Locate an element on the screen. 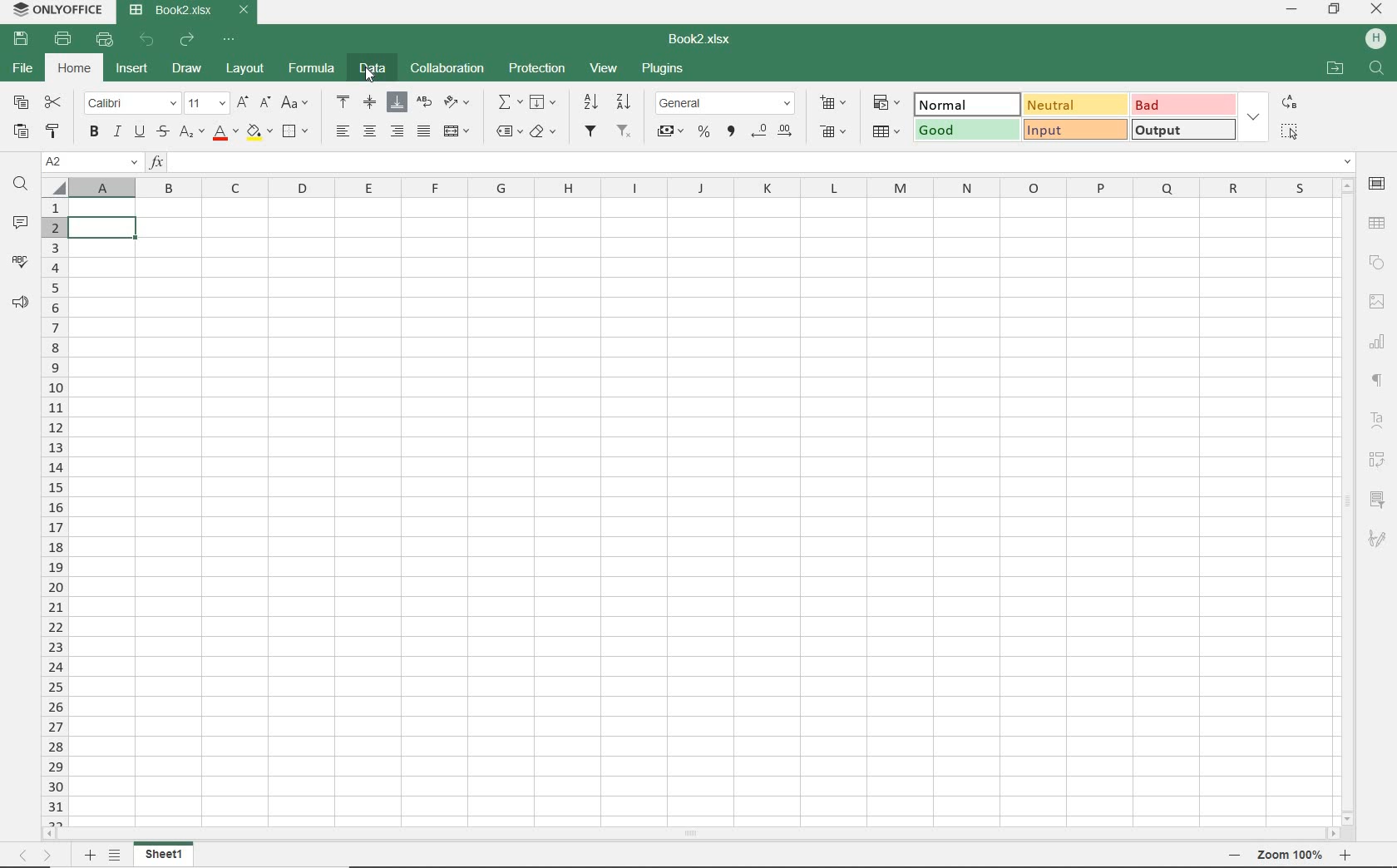 The image size is (1397, 868). PLUGINS is located at coordinates (664, 67).